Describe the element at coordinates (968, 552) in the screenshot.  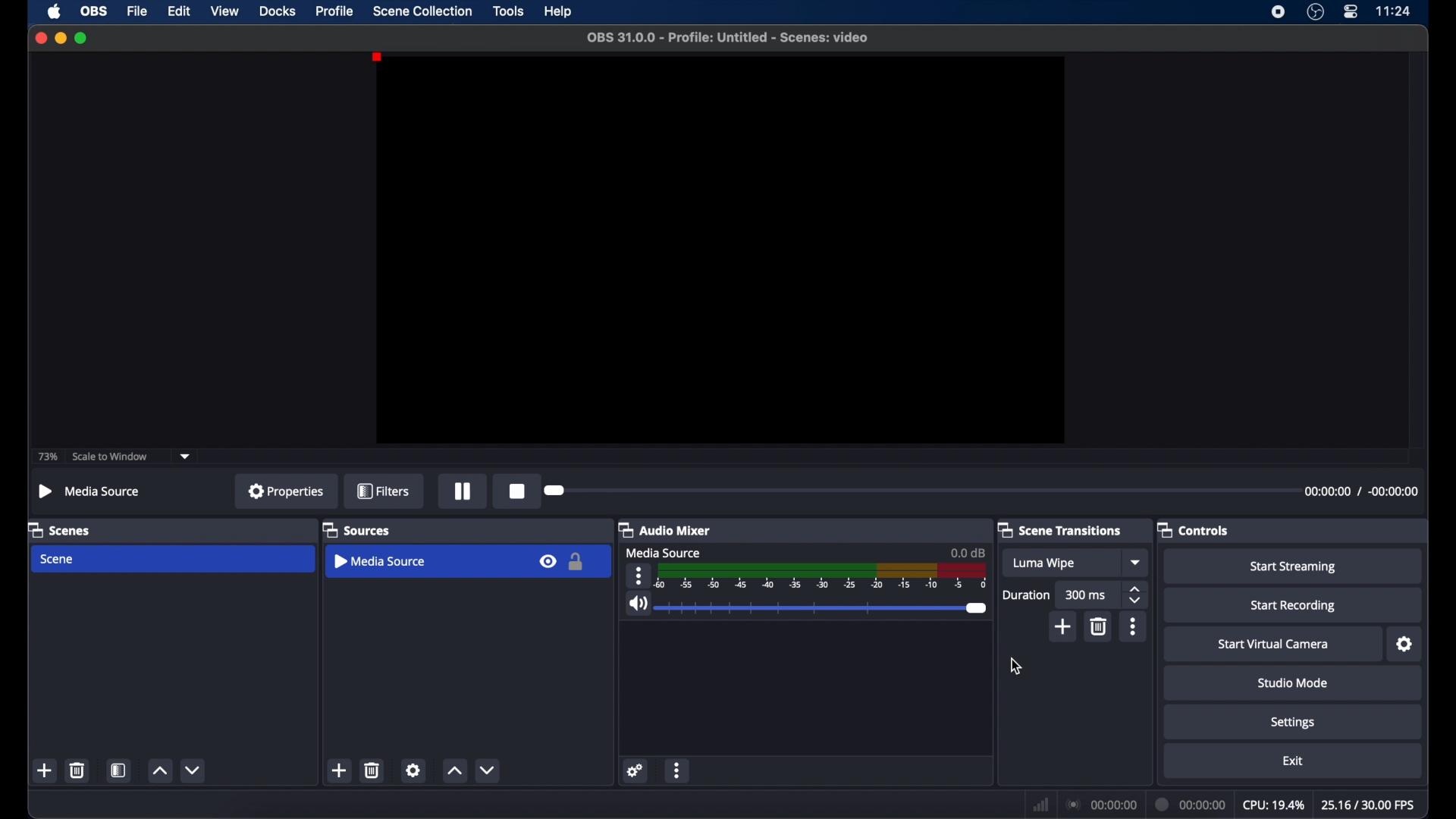
I see `0.0` at that location.